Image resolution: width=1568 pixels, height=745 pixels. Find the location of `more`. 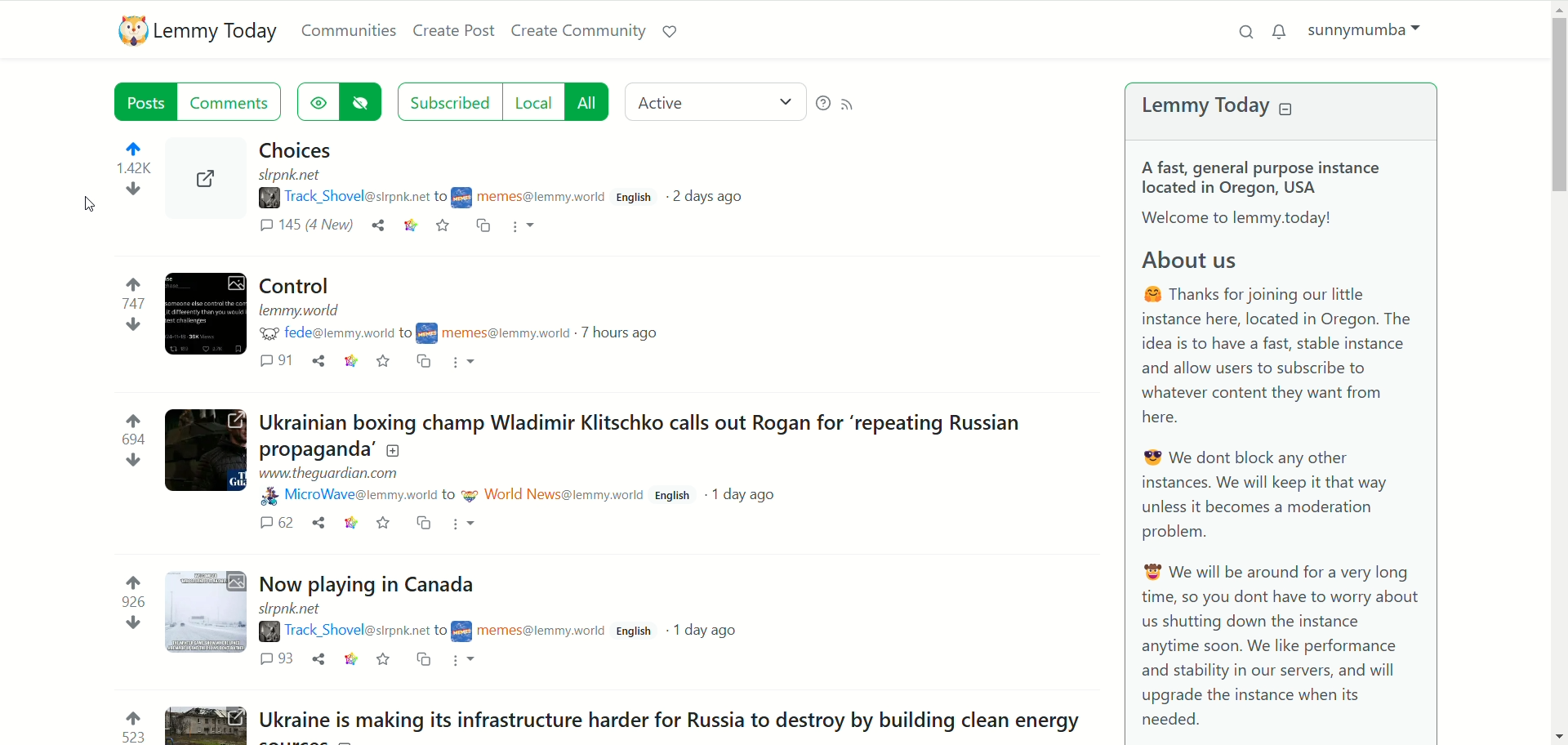

more is located at coordinates (465, 364).